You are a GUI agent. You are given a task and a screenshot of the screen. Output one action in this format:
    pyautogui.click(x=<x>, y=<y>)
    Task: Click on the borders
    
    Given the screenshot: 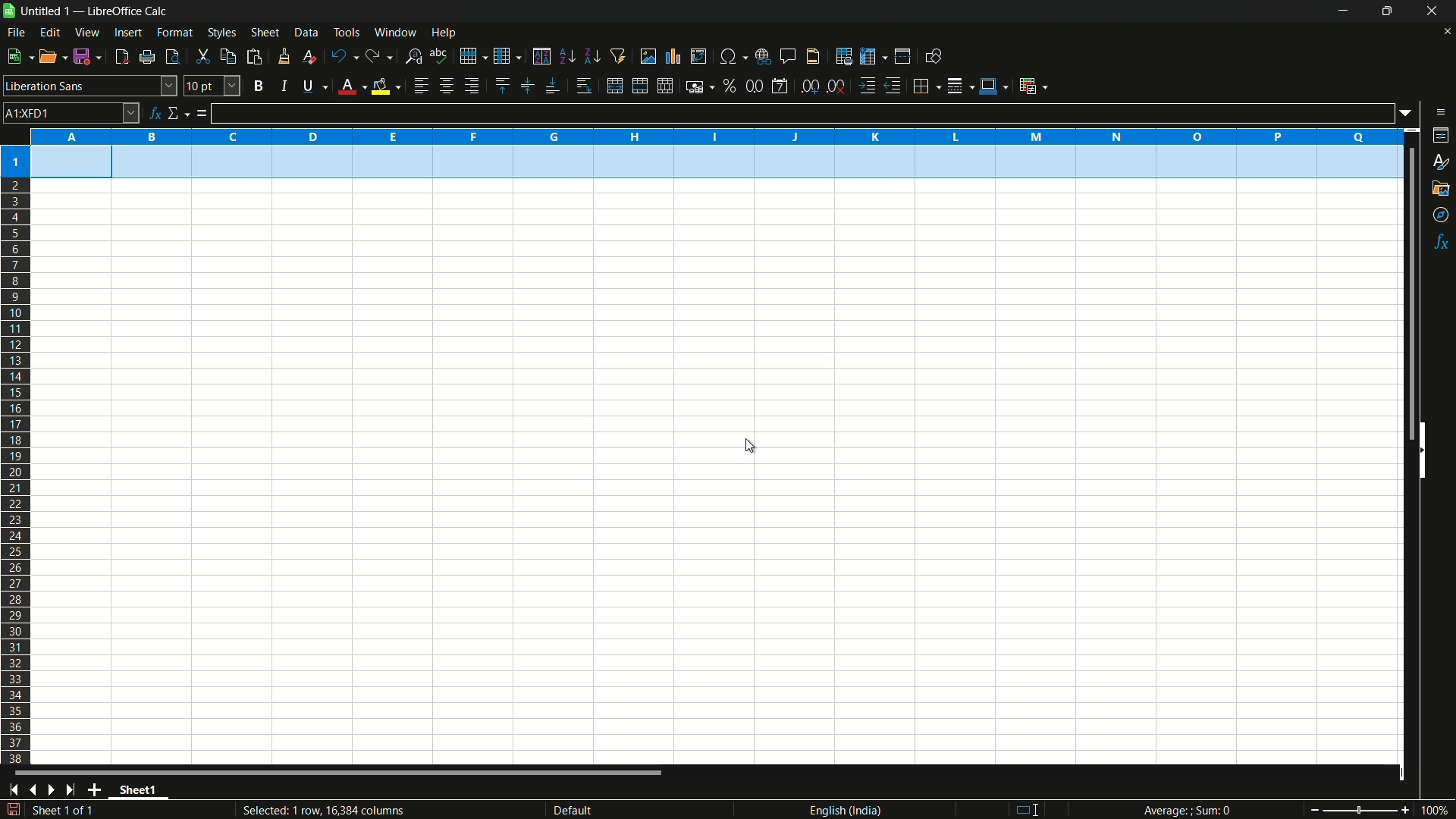 What is the action you would take?
    pyautogui.click(x=927, y=84)
    